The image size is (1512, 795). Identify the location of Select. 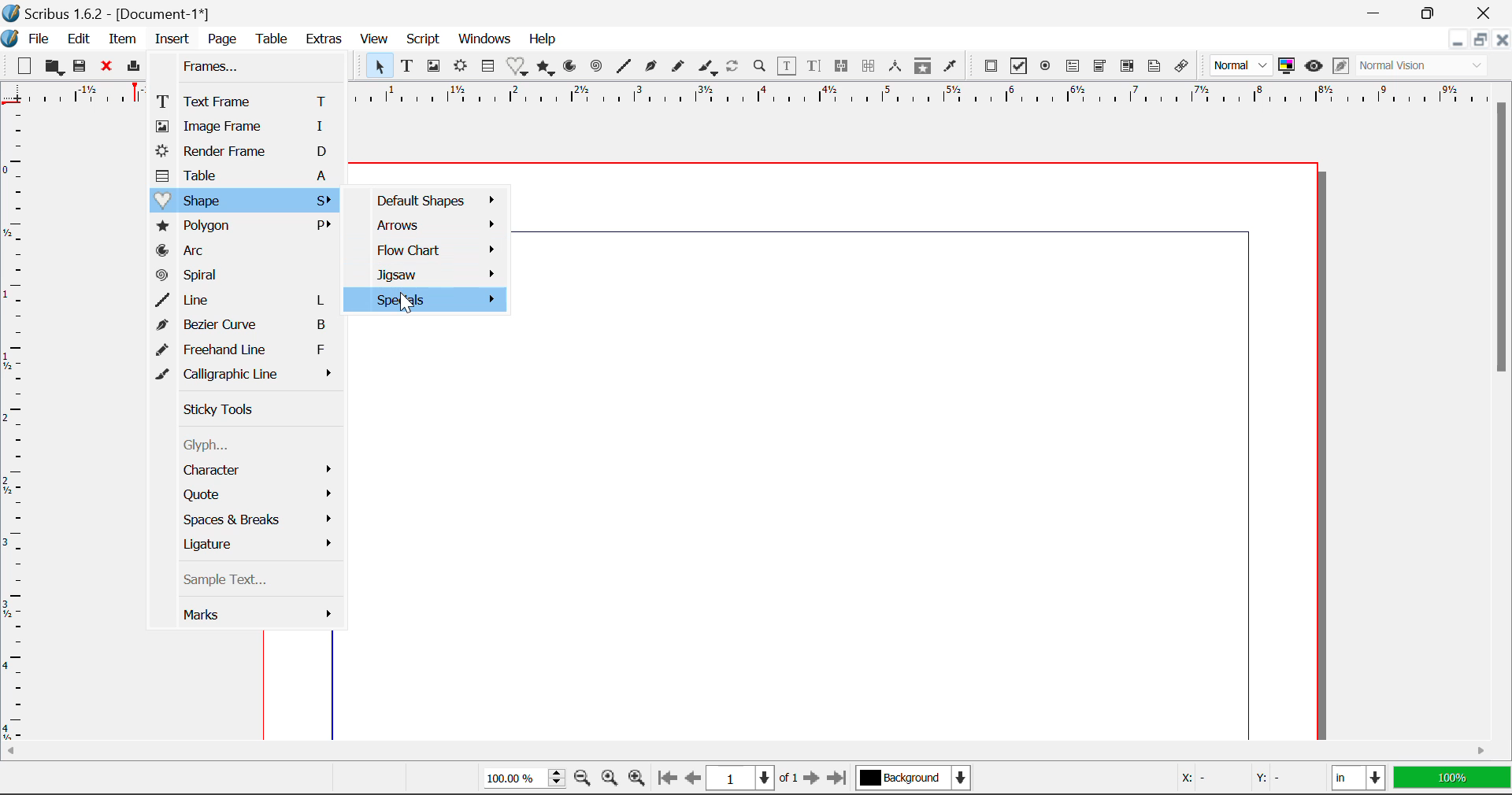
(379, 66).